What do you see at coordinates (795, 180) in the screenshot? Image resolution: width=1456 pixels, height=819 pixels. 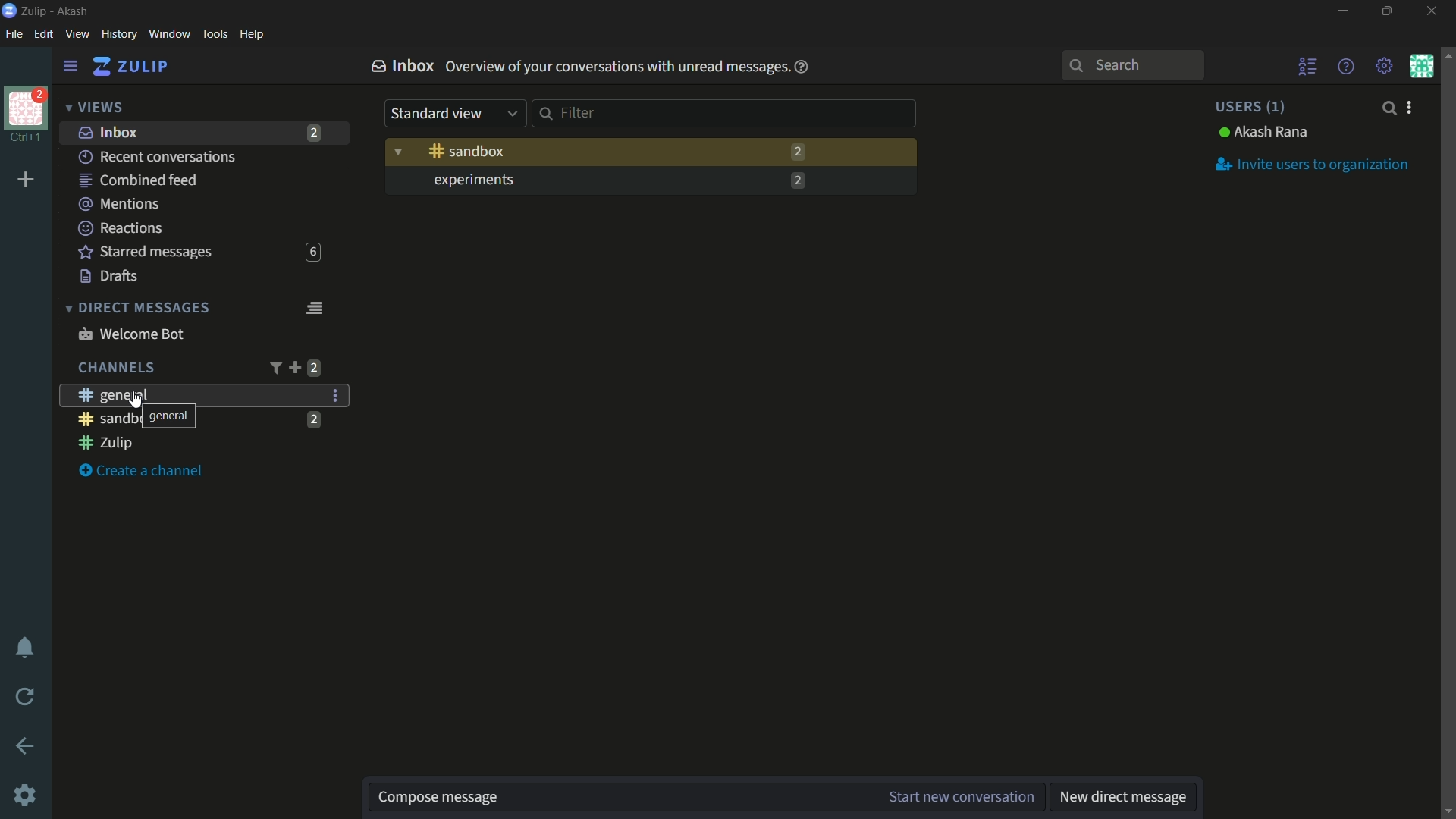 I see `2 unread messages` at bounding box center [795, 180].